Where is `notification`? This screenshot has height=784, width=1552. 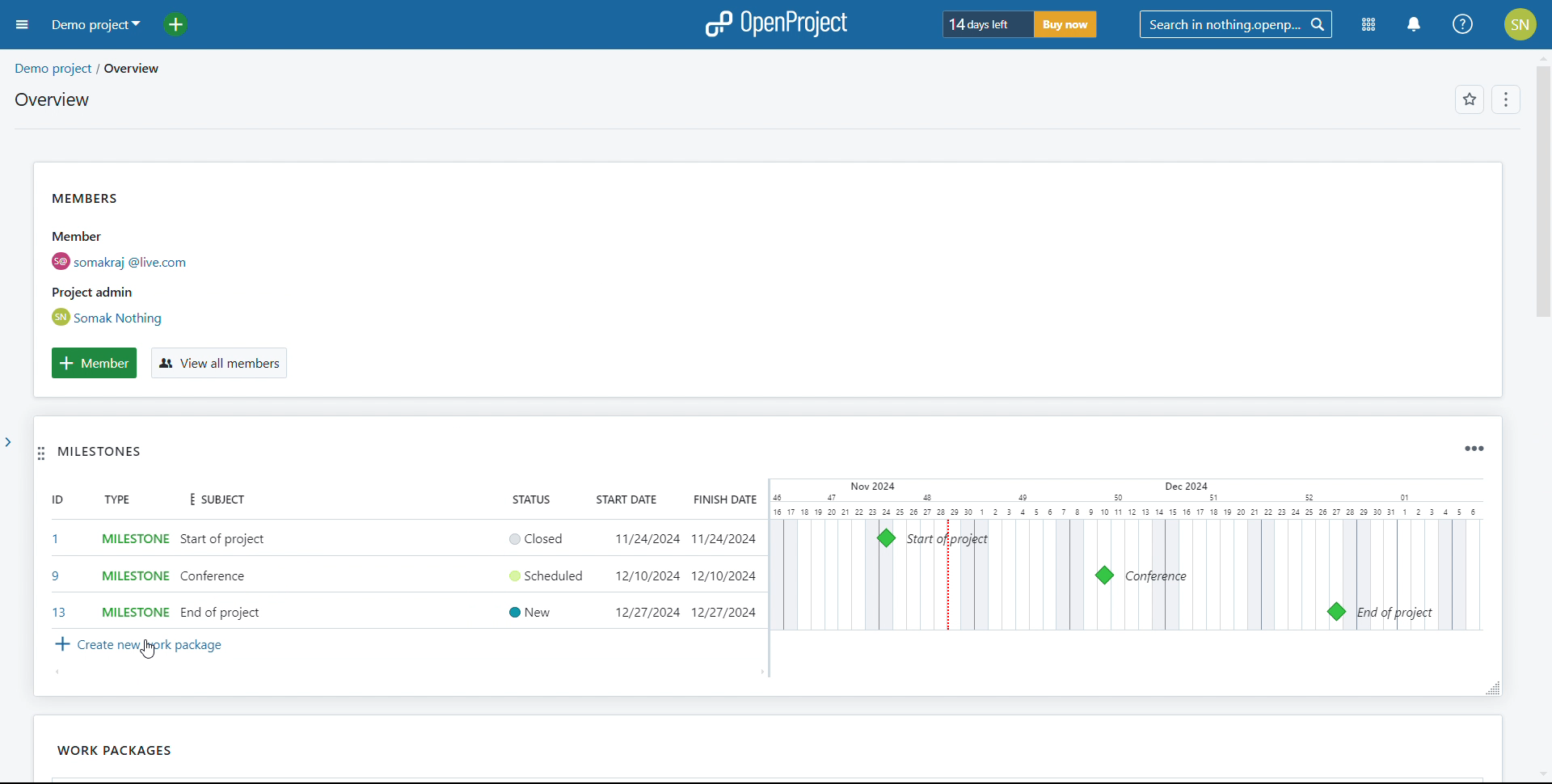 notification is located at coordinates (1413, 25).